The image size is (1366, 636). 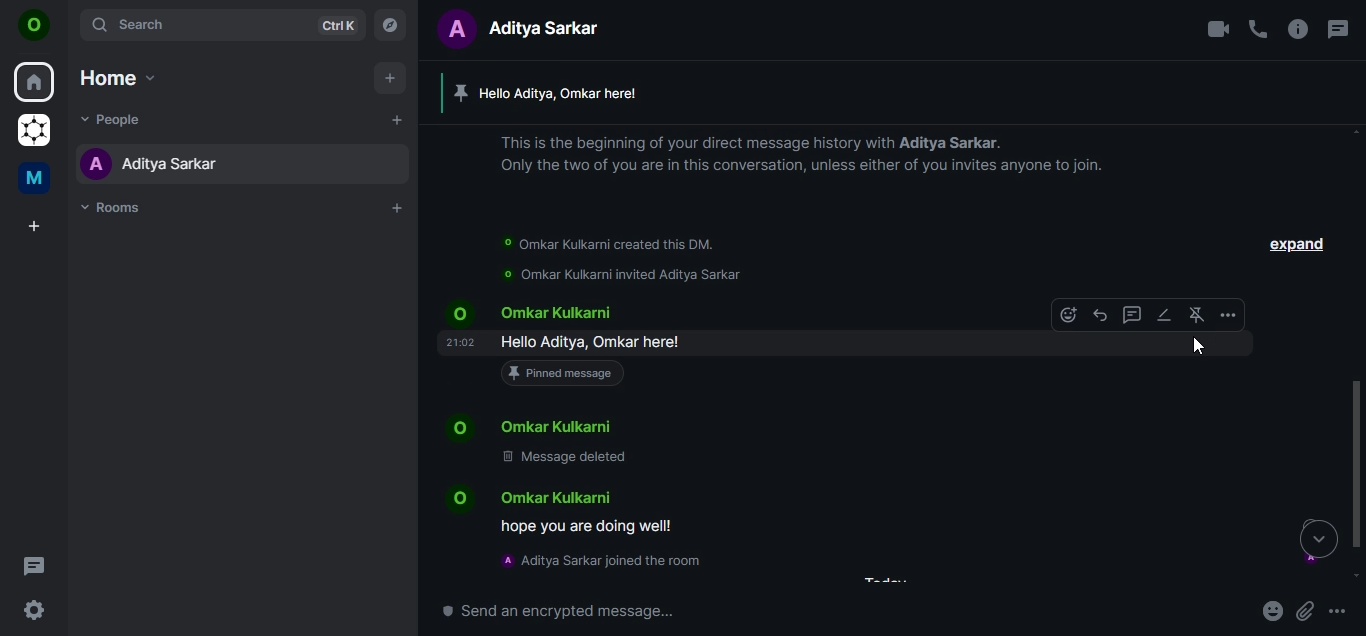 I want to click on emoji, so click(x=1271, y=610).